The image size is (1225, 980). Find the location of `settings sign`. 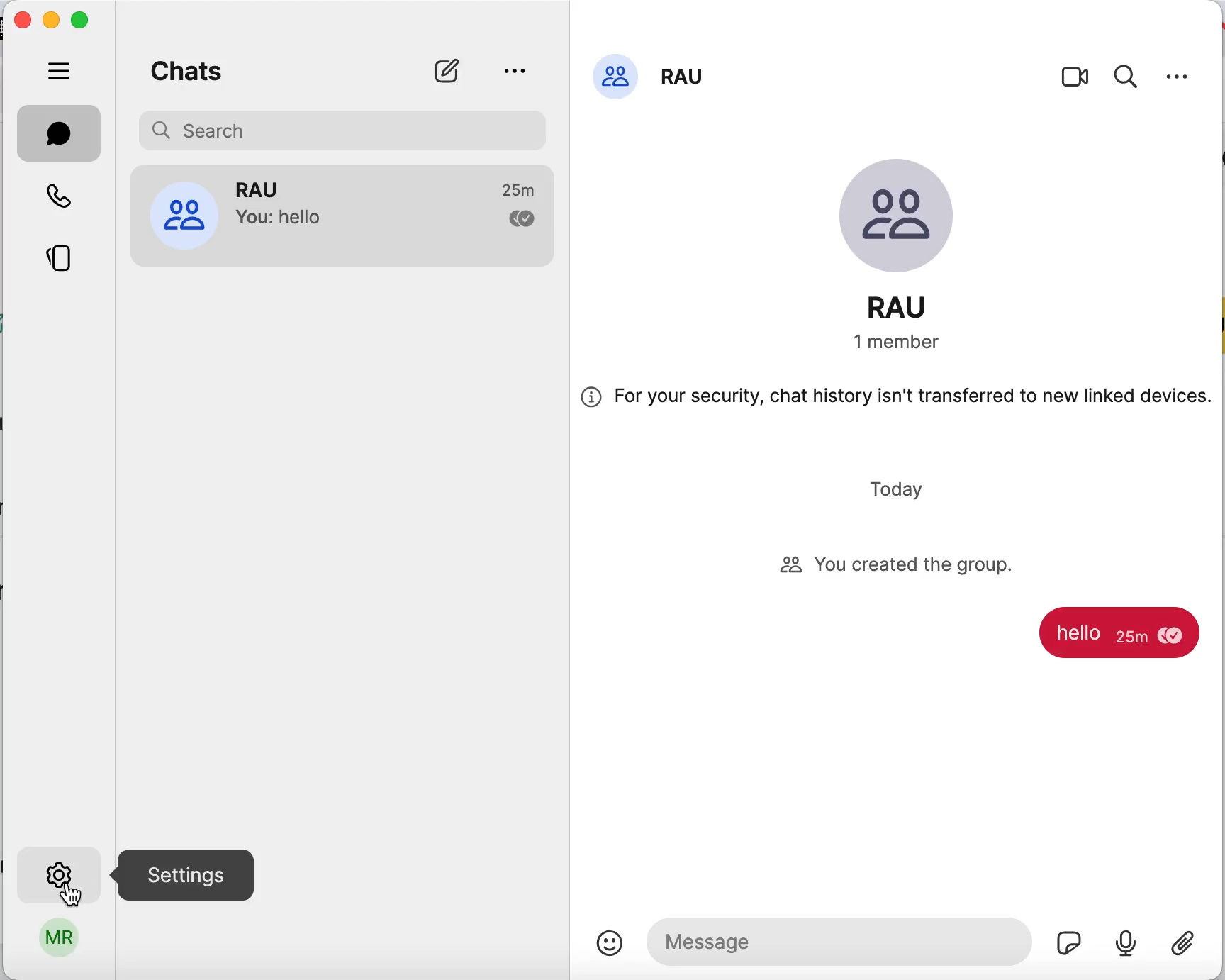

settings sign is located at coordinates (182, 874).